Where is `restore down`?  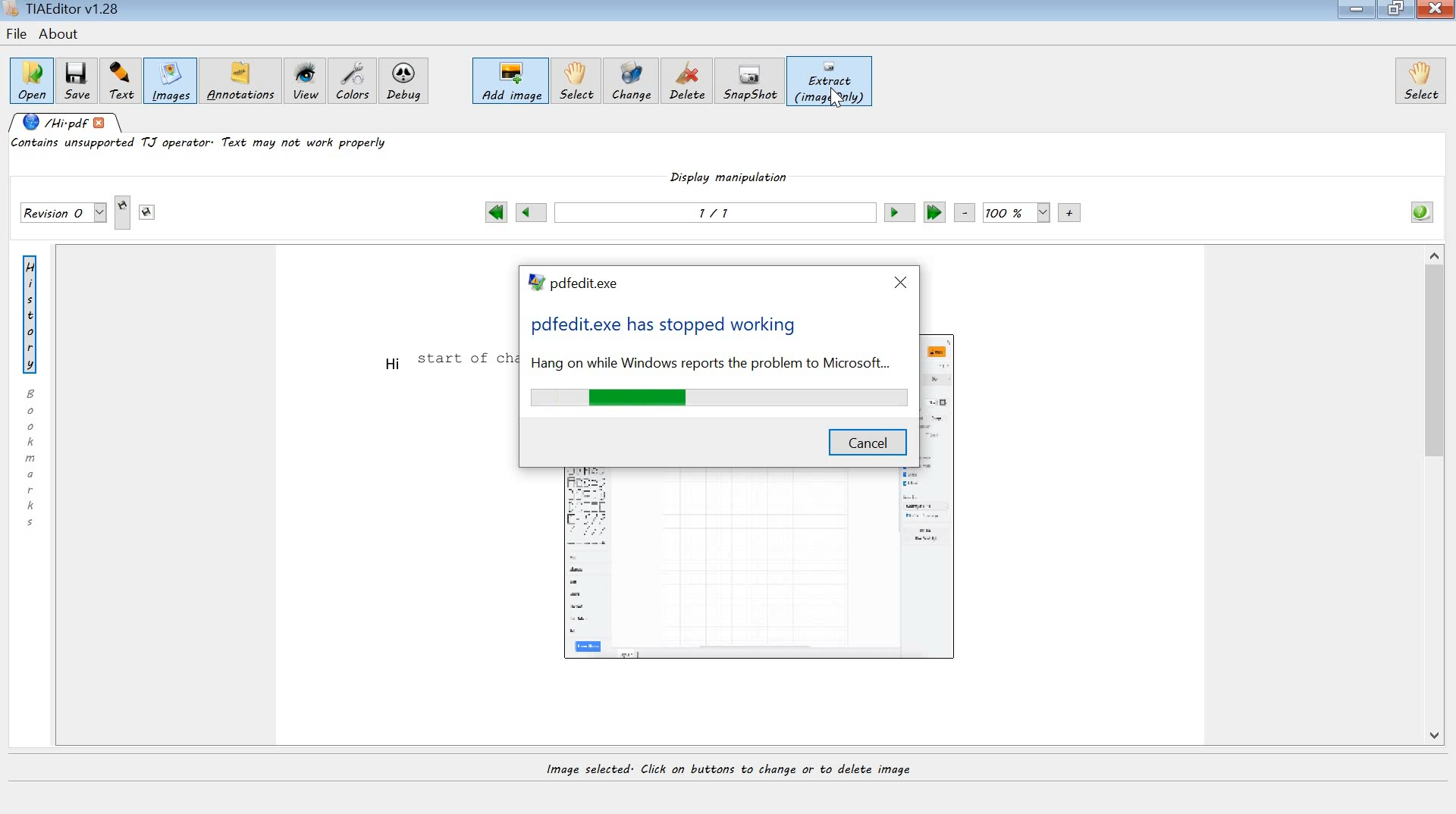
restore down is located at coordinates (1398, 9).